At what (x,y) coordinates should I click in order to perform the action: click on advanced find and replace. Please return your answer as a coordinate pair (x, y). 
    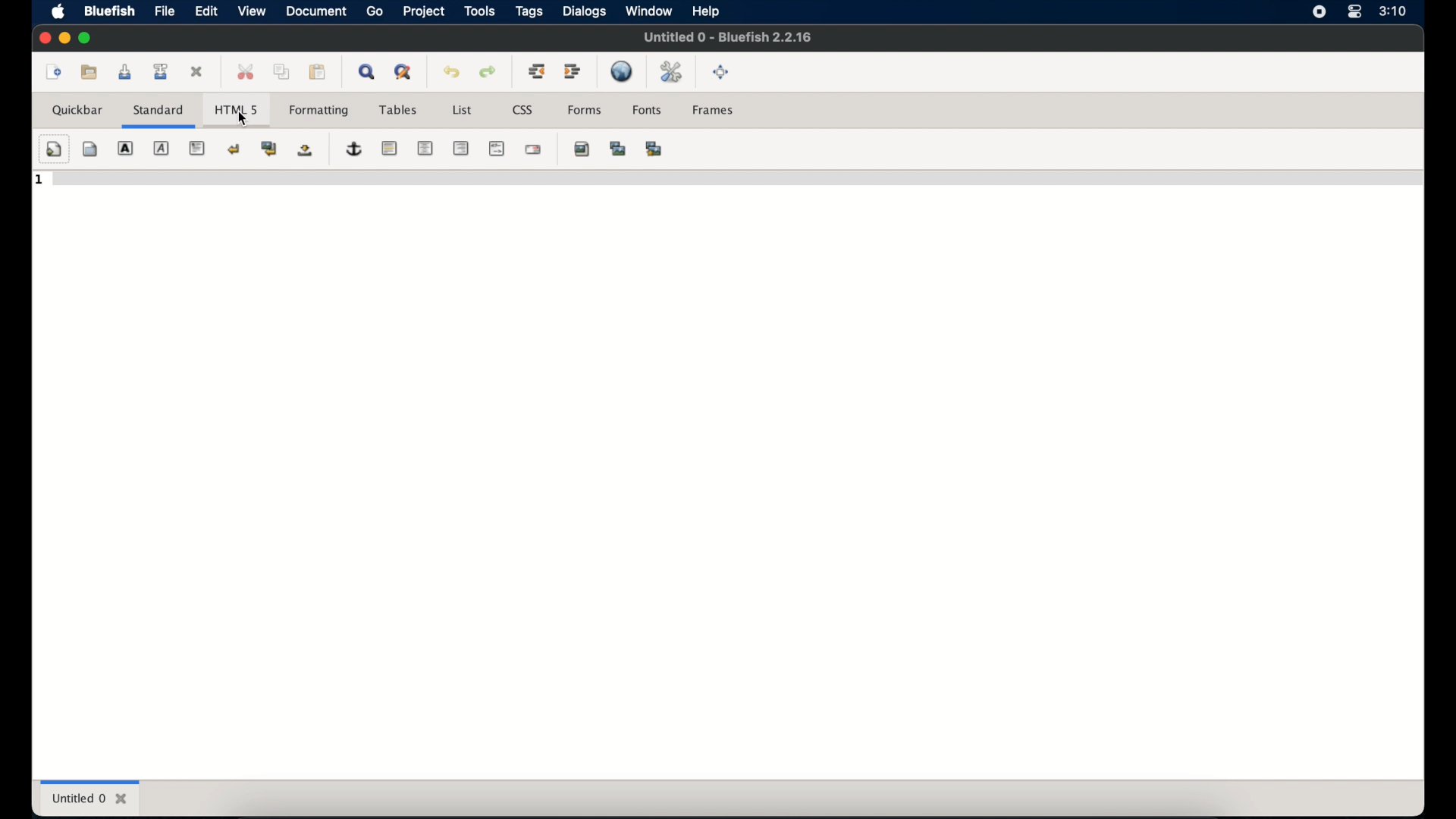
    Looking at the image, I should click on (404, 73).